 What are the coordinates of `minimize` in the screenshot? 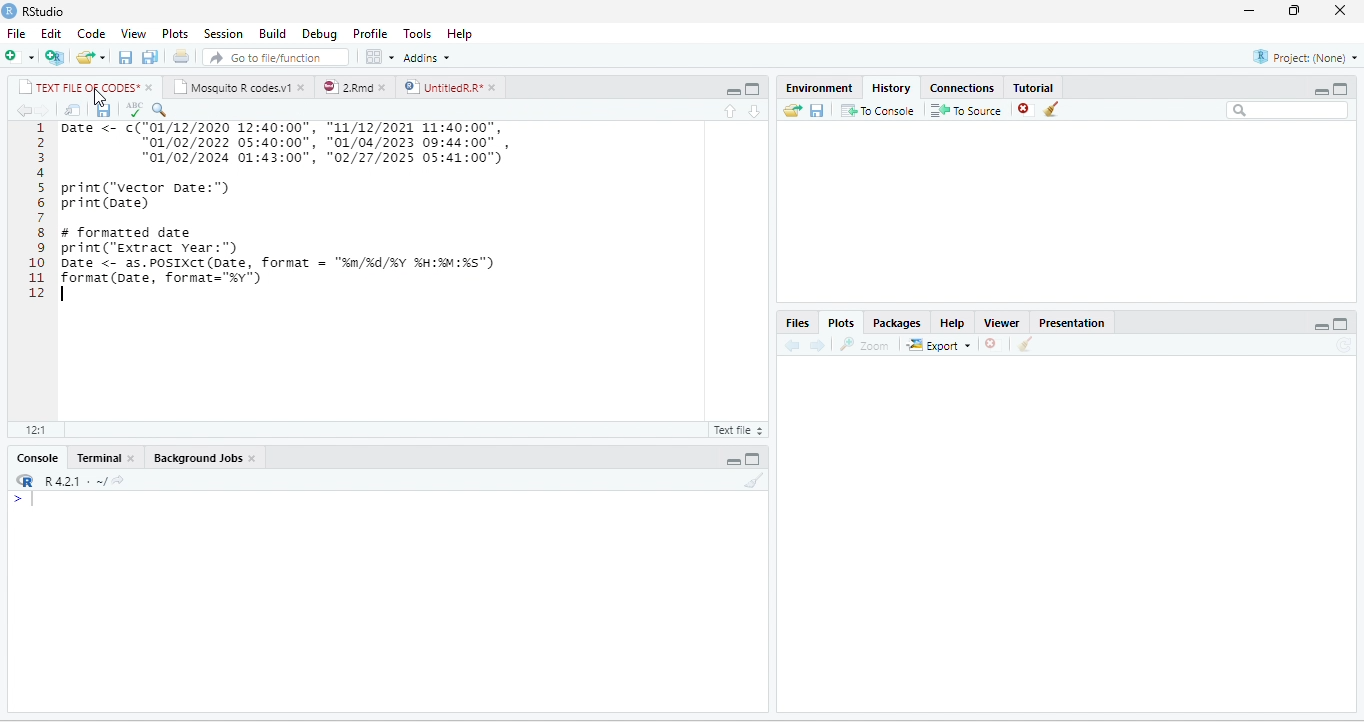 It's located at (1321, 91).